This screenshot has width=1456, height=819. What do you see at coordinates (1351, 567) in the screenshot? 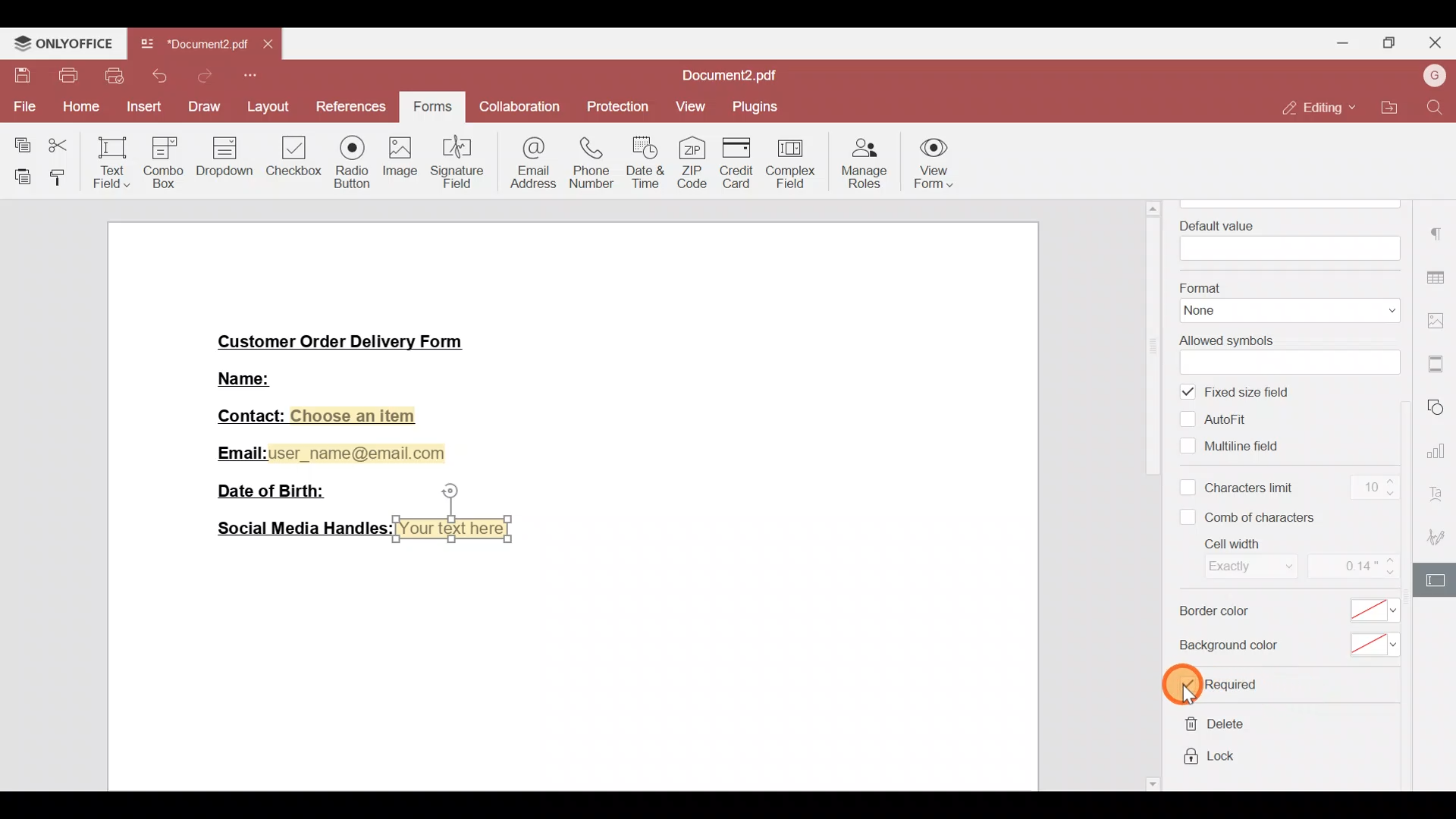
I see `Cell width size` at bounding box center [1351, 567].